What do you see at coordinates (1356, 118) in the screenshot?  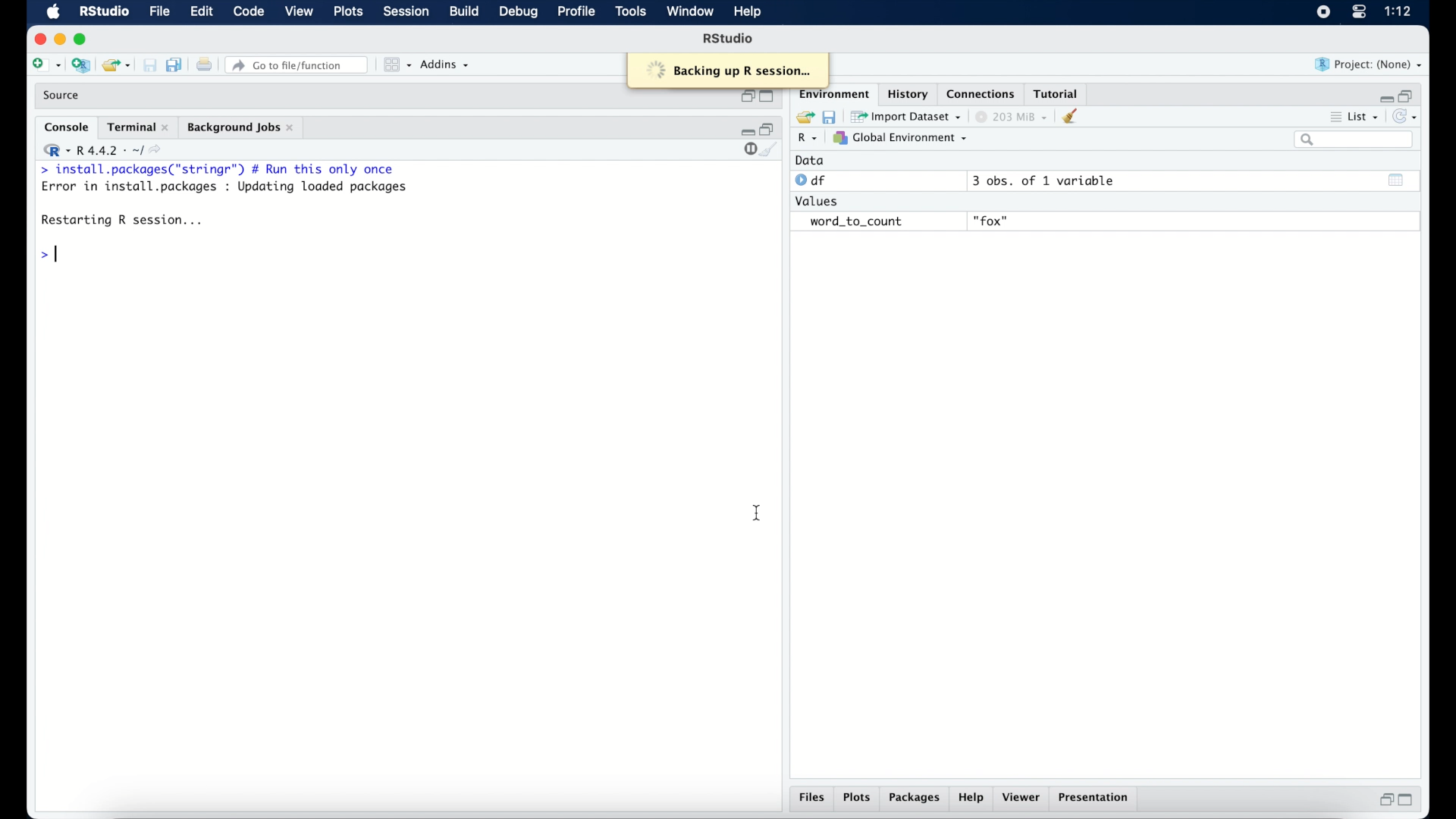 I see `list` at bounding box center [1356, 118].